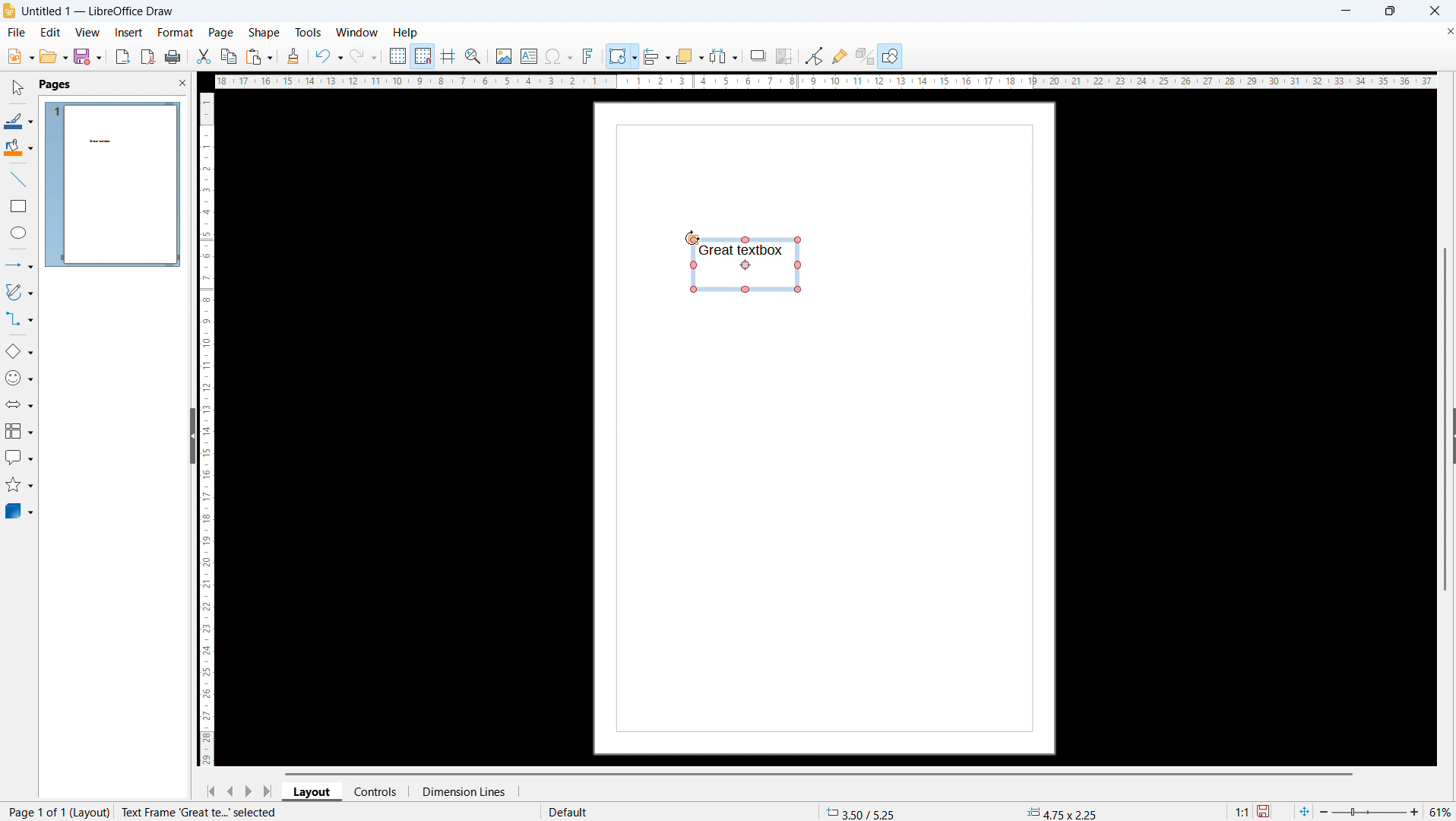  What do you see at coordinates (230, 791) in the screenshot?
I see `previous page` at bounding box center [230, 791].